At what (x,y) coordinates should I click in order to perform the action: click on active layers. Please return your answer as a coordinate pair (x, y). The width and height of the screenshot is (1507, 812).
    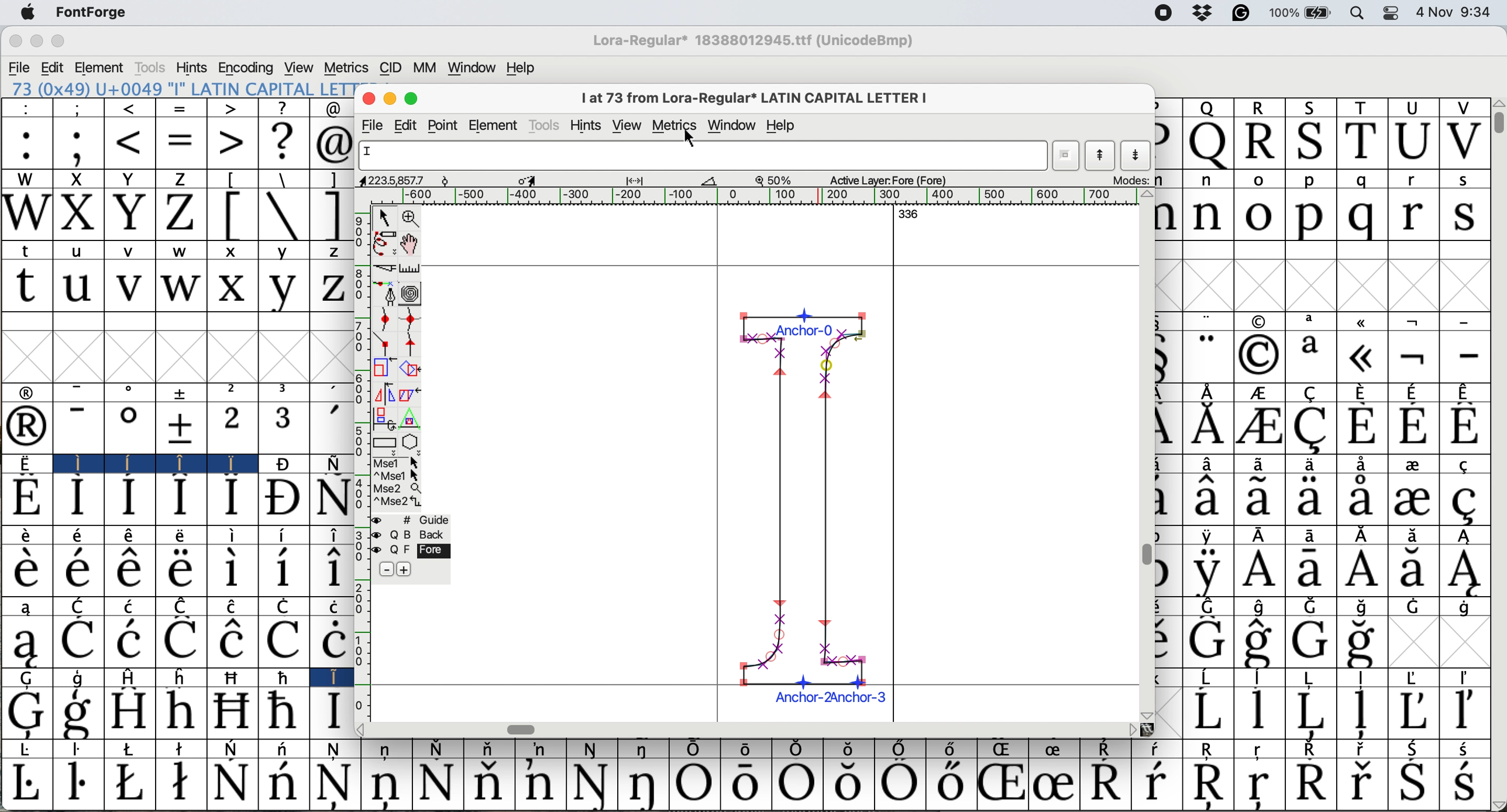
    Looking at the image, I should click on (891, 178).